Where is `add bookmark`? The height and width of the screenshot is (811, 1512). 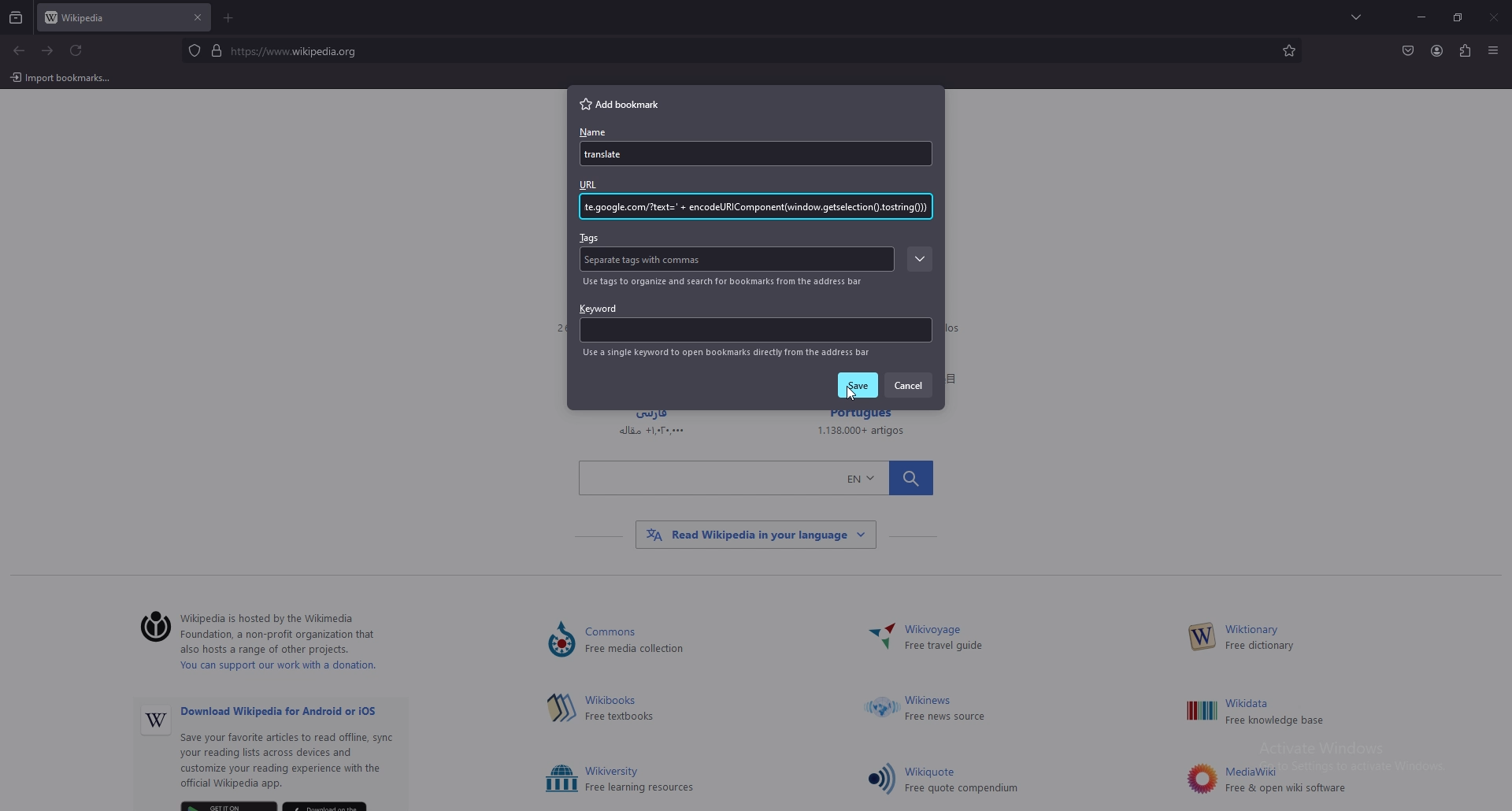
add bookmark is located at coordinates (626, 103).